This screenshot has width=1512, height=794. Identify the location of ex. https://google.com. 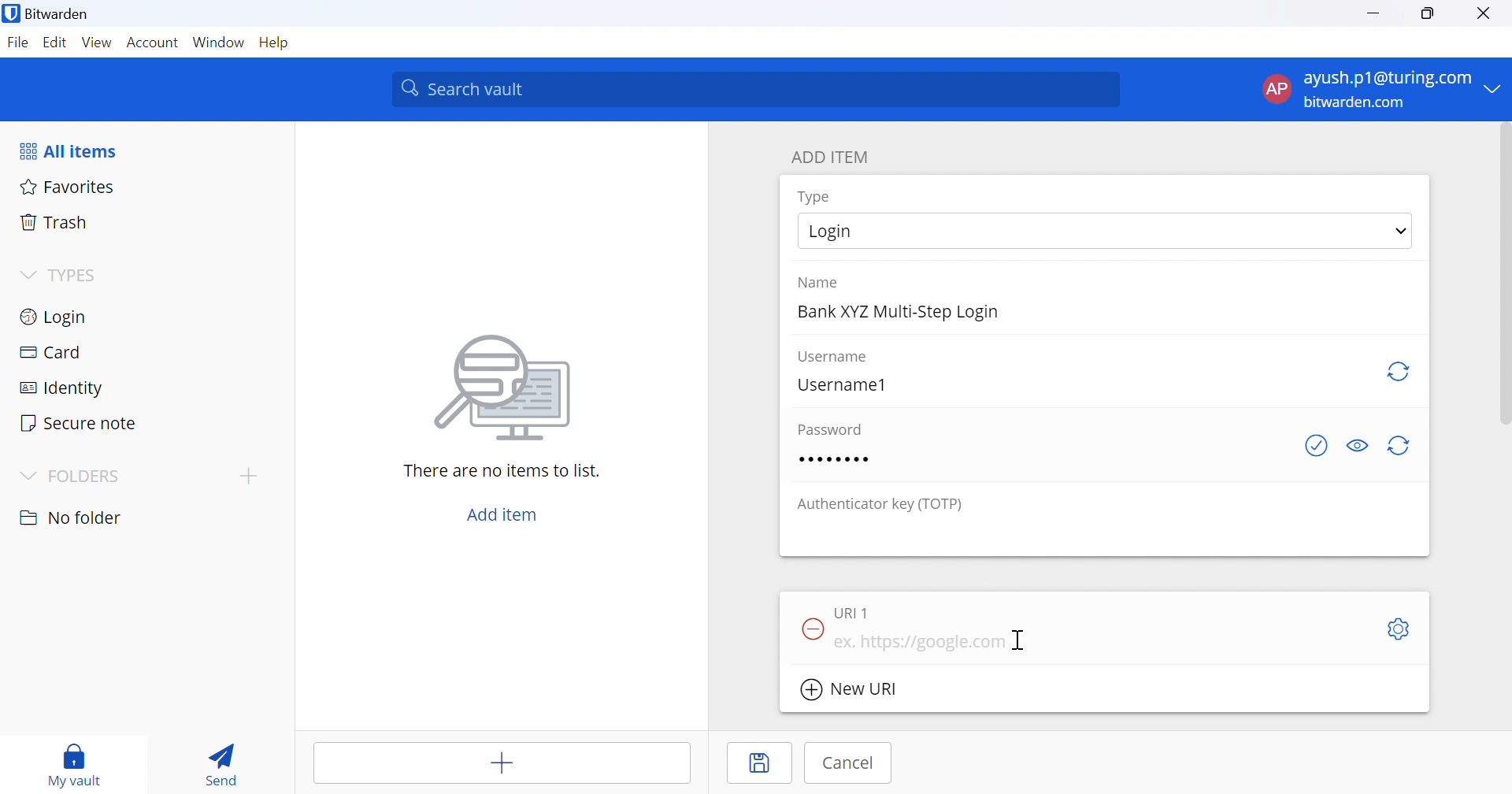
(925, 644).